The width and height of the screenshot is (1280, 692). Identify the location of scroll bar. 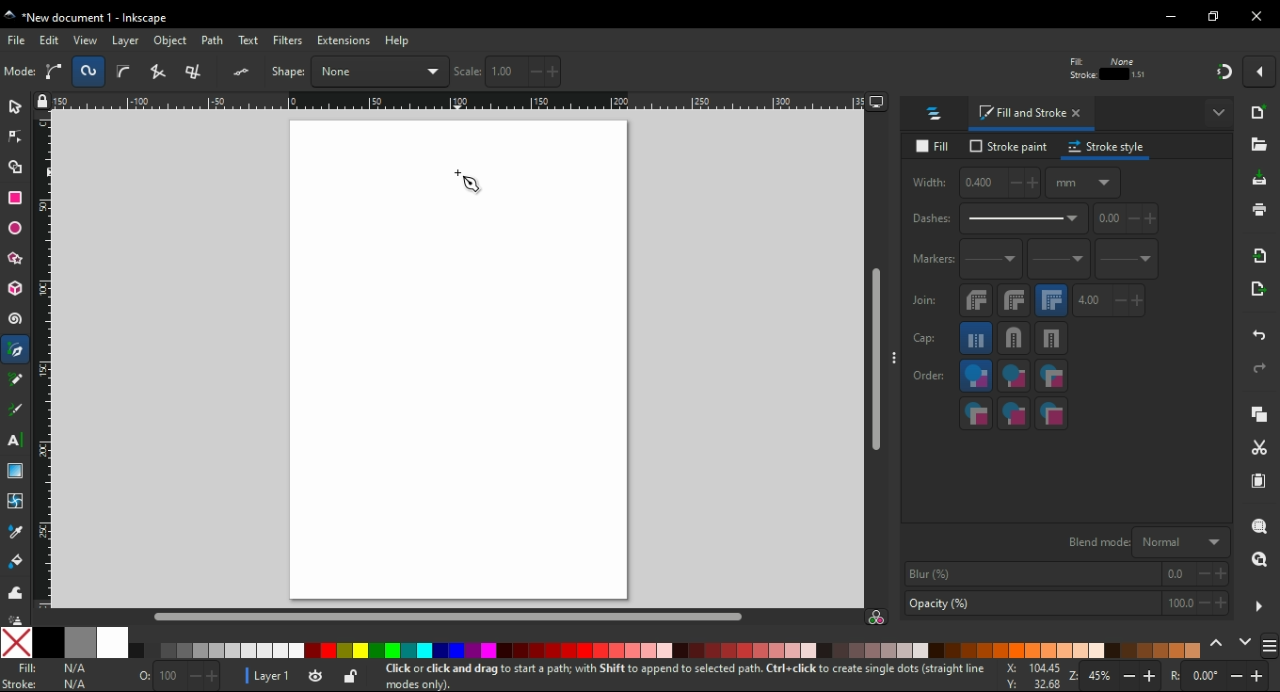
(452, 615).